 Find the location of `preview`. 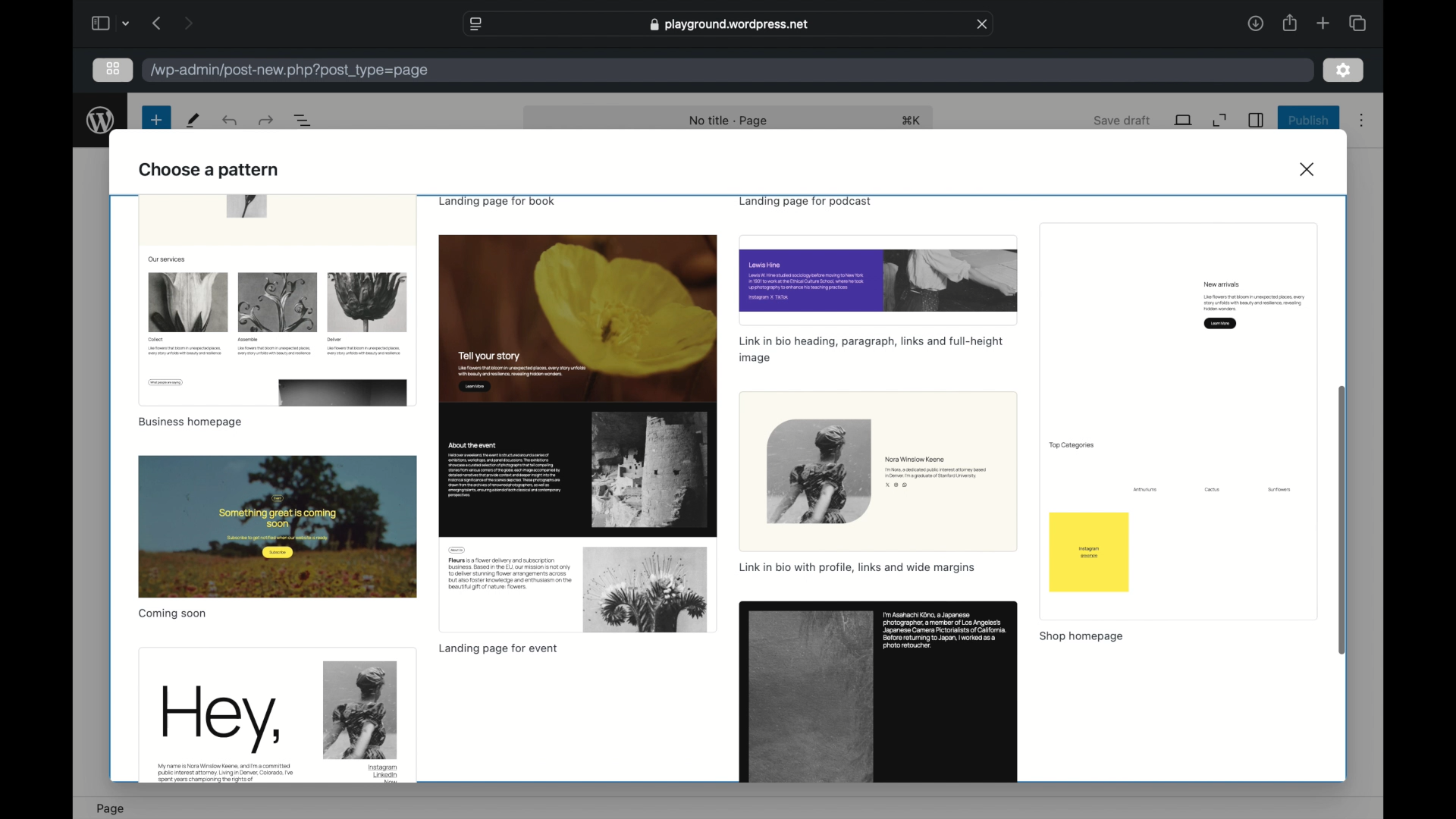

preview is located at coordinates (879, 471).